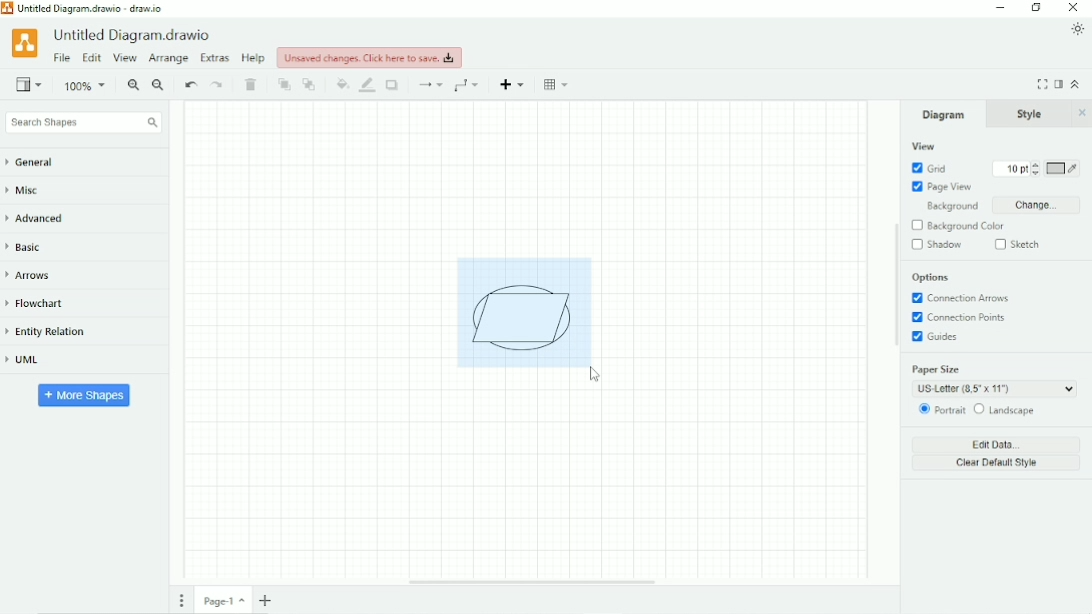 Image resolution: width=1092 pixels, height=614 pixels. What do you see at coordinates (159, 86) in the screenshot?
I see `Zoom out` at bounding box center [159, 86].